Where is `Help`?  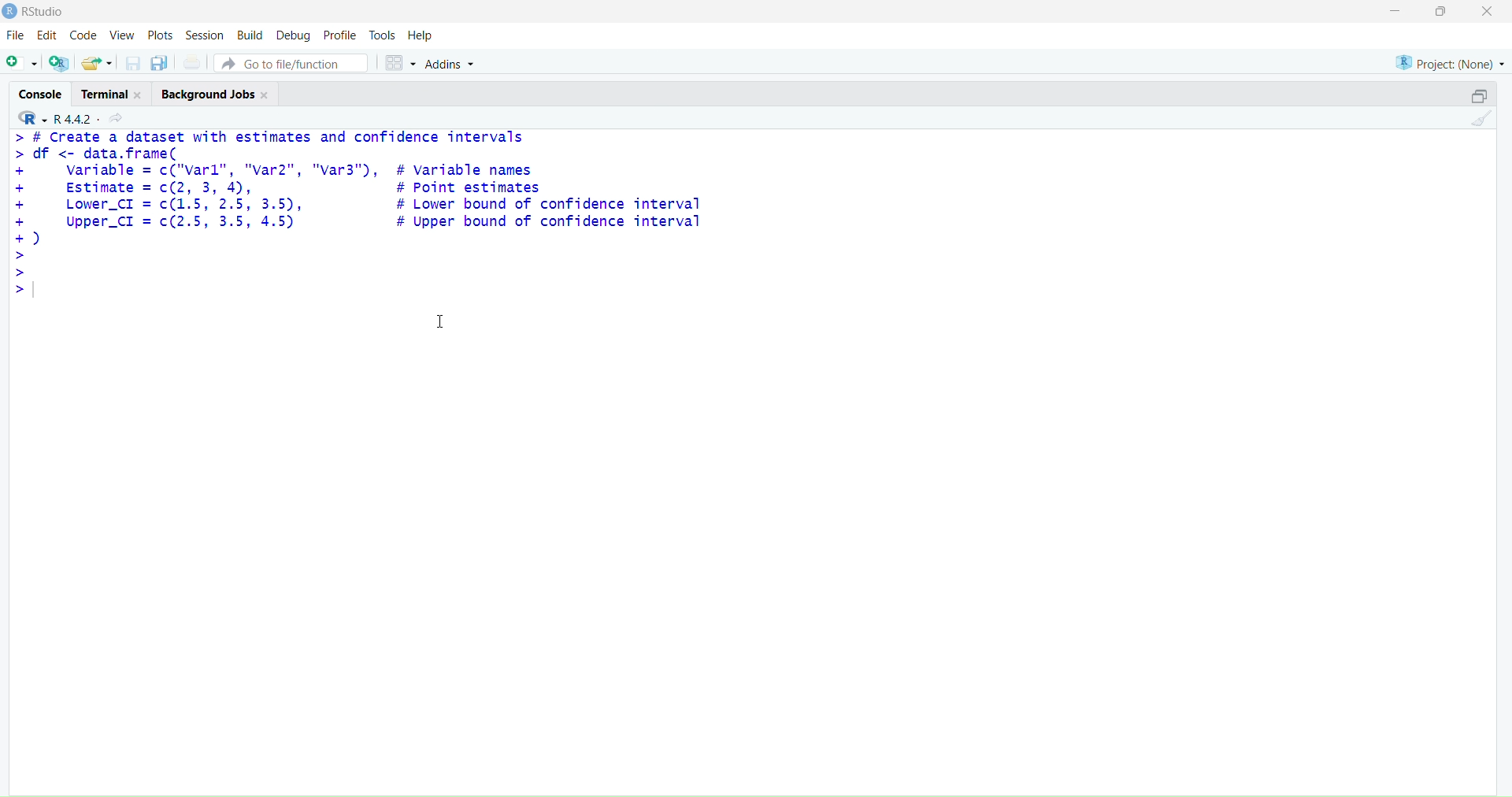 Help is located at coordinates (421, 36).